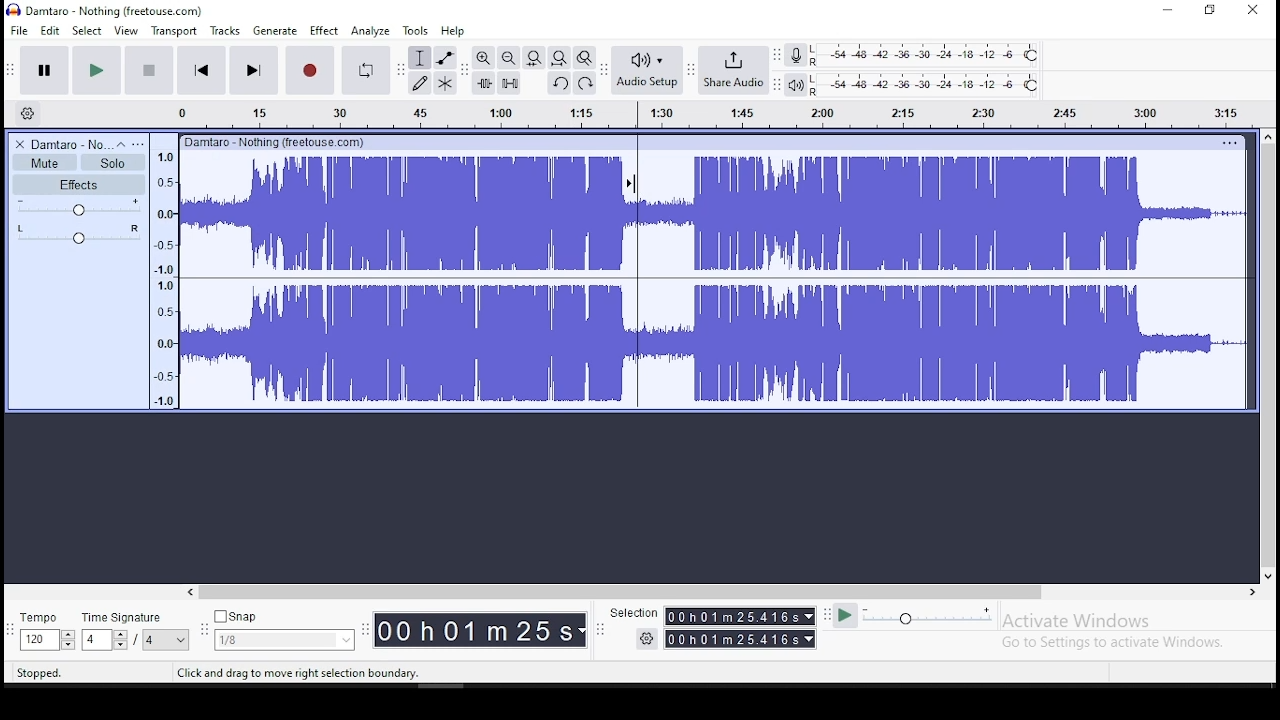 This screenshot has height=720, width=1280. What do you see at coordinates (44, 70) in the screenshot?
I see `pause` at bounding box center [44, 70].